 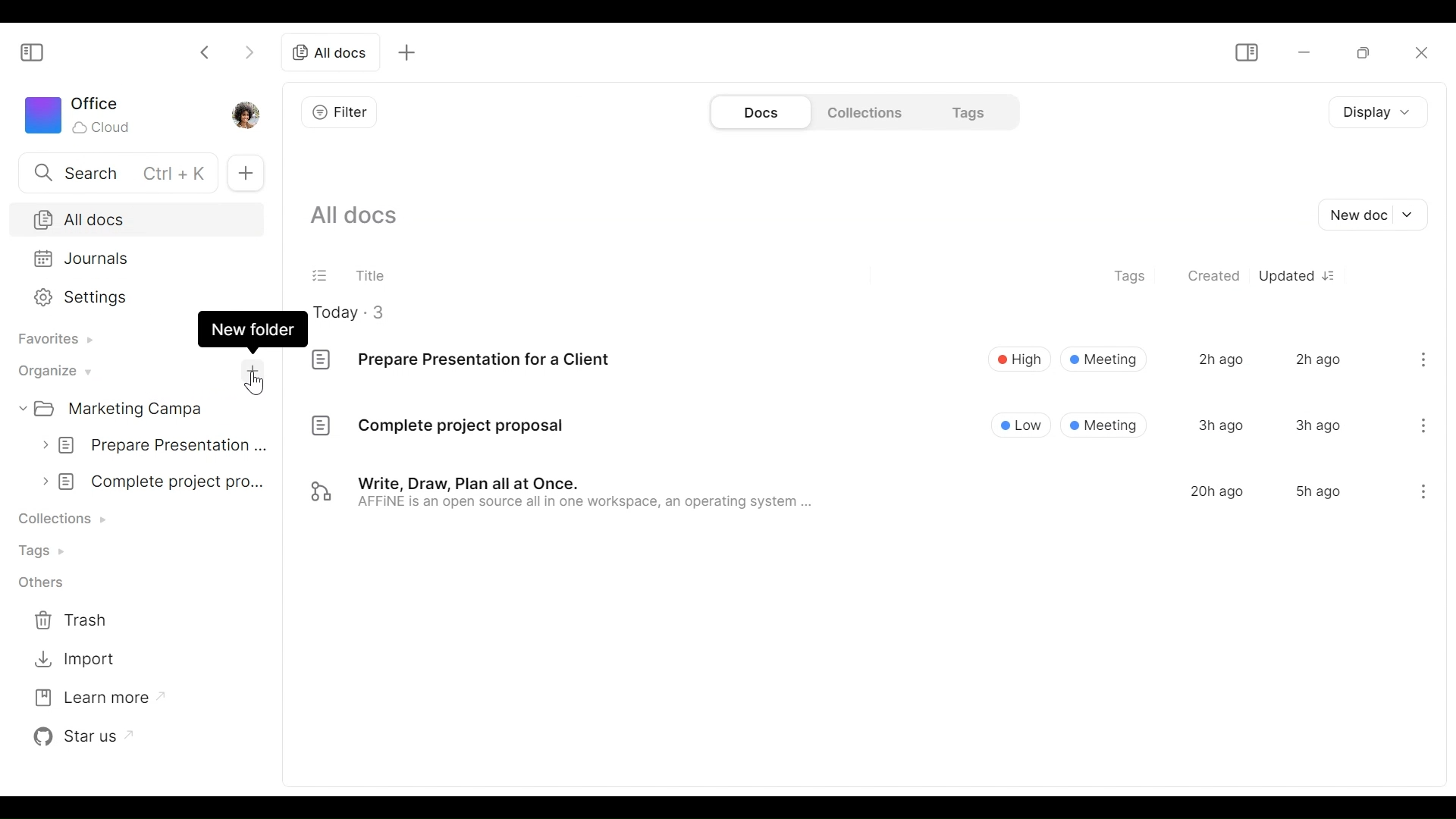 I want to click on 2h ago, so click(x=1318, y=358).